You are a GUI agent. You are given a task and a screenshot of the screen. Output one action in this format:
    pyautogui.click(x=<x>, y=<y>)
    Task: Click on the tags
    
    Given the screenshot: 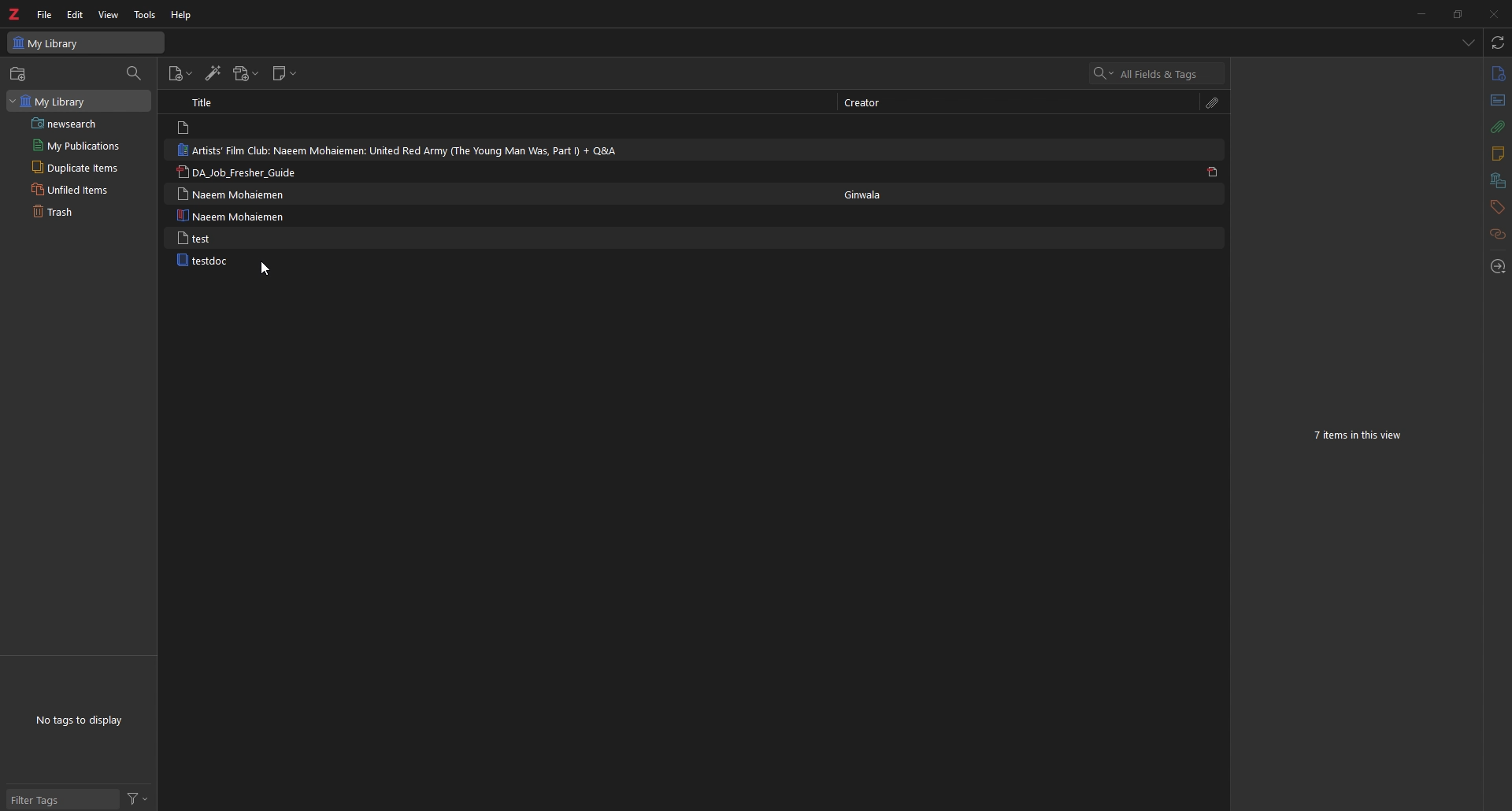 What is the action you would take?
    pyautogui.click(x=1497, y=207)
    